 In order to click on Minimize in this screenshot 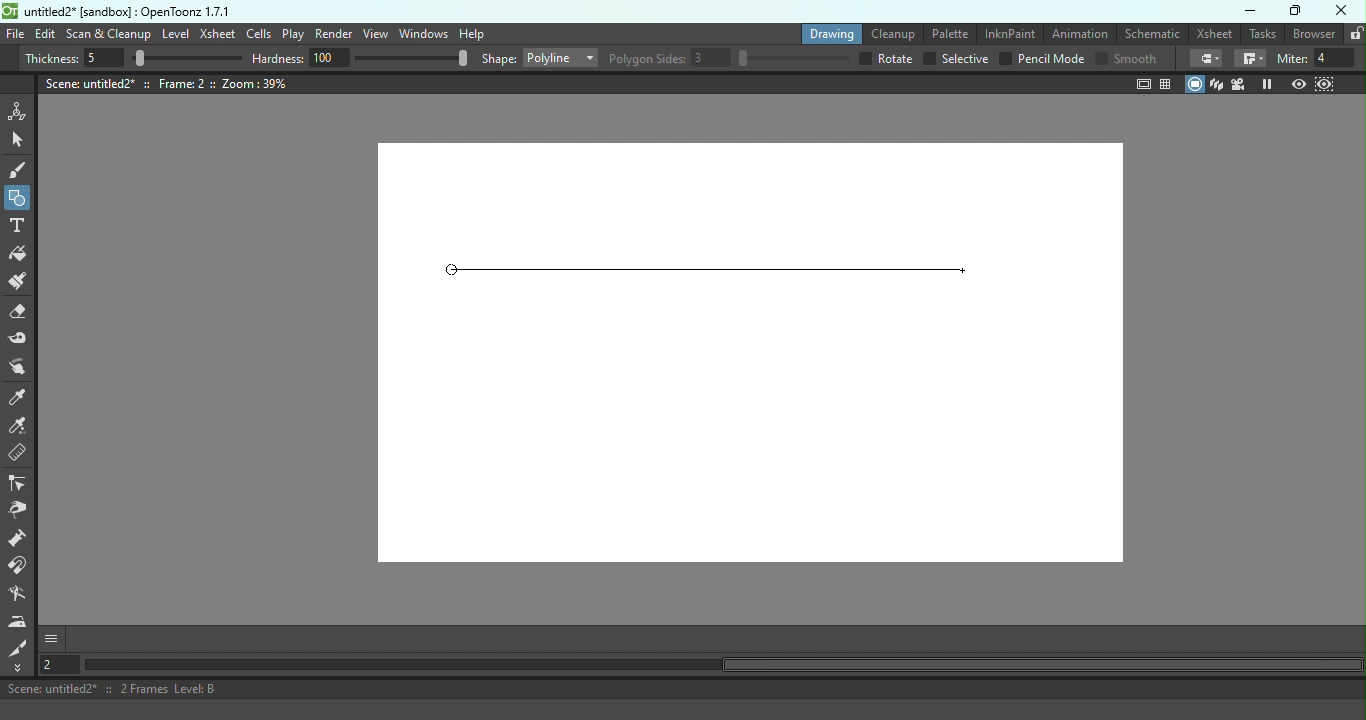, I will do `click(1251, 11)`.